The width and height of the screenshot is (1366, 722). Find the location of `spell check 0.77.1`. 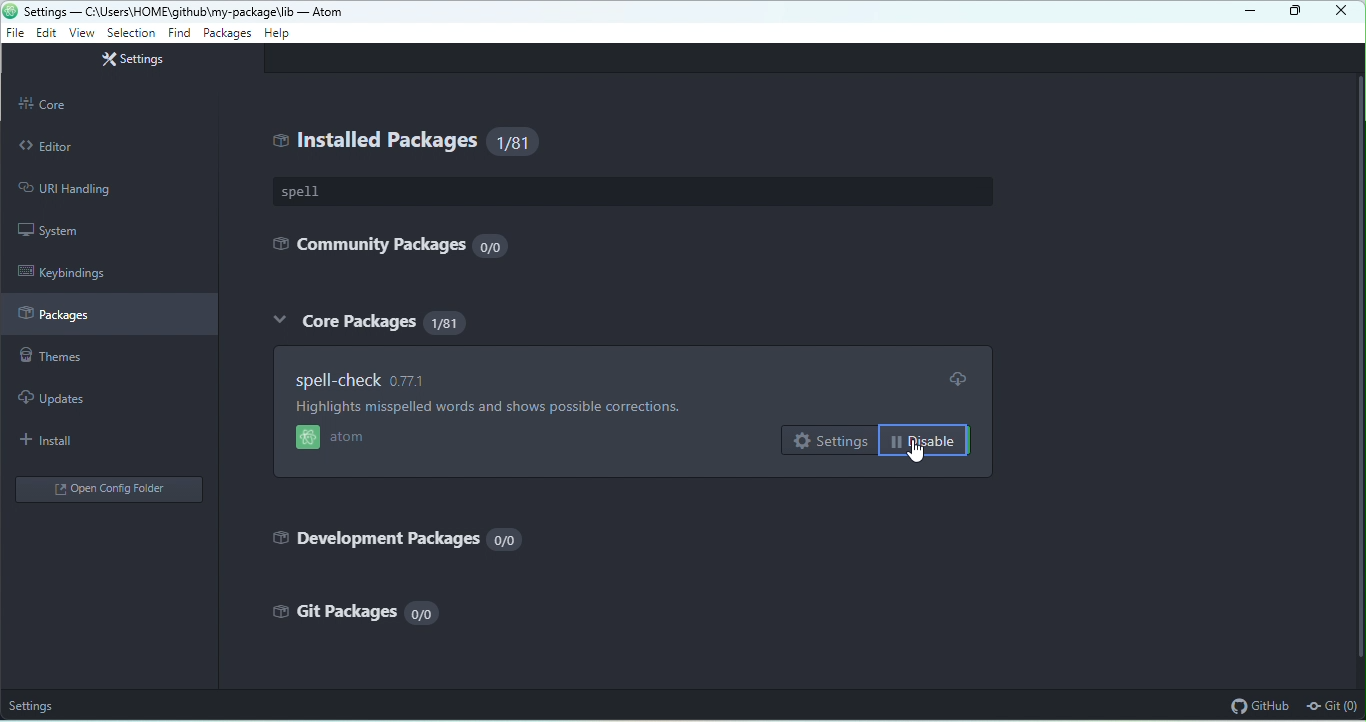

spell check 0.77.1 is located at coordinates (367, 383).